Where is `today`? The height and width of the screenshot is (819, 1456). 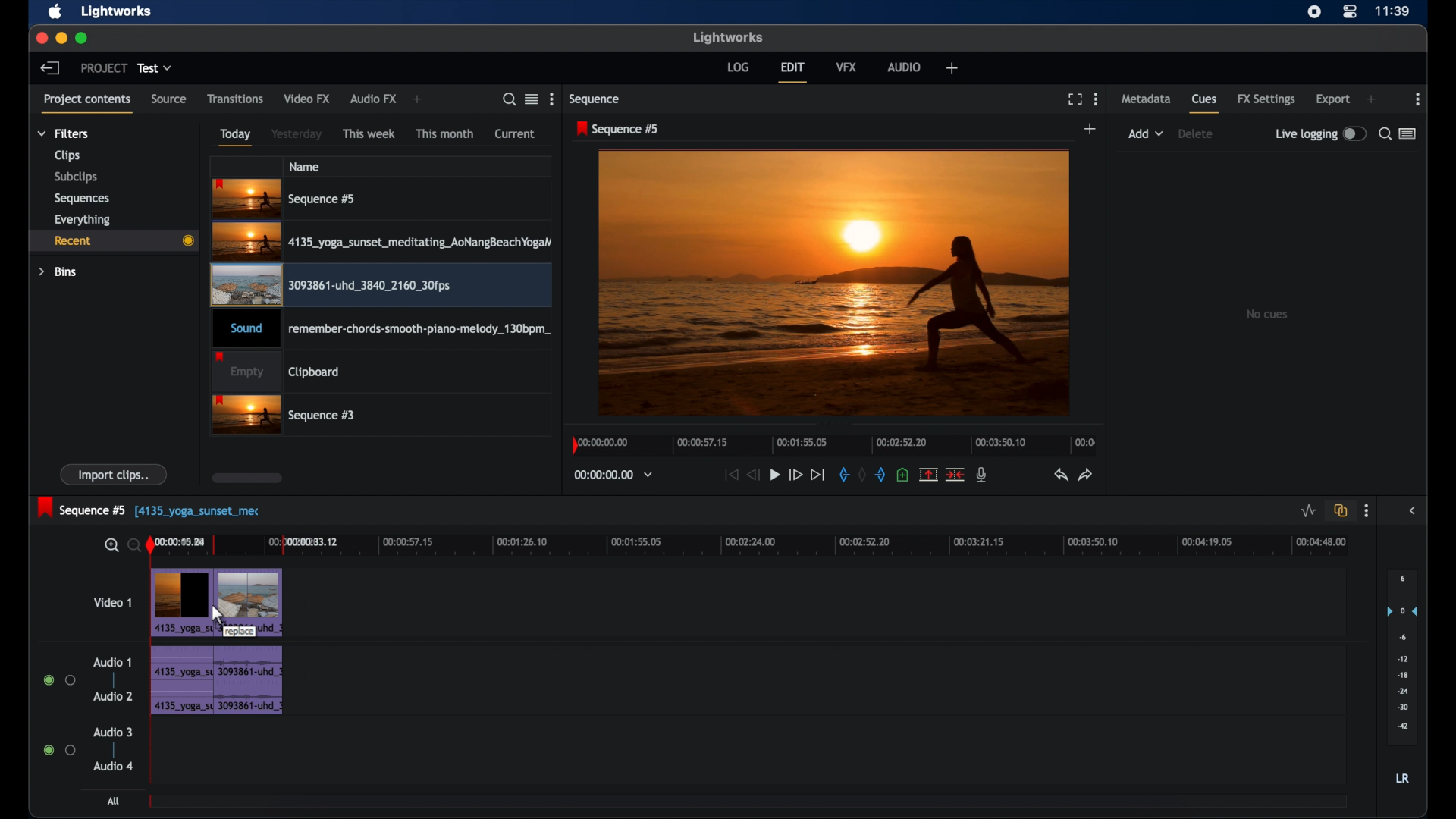 today is located at coordinates (236, 137).